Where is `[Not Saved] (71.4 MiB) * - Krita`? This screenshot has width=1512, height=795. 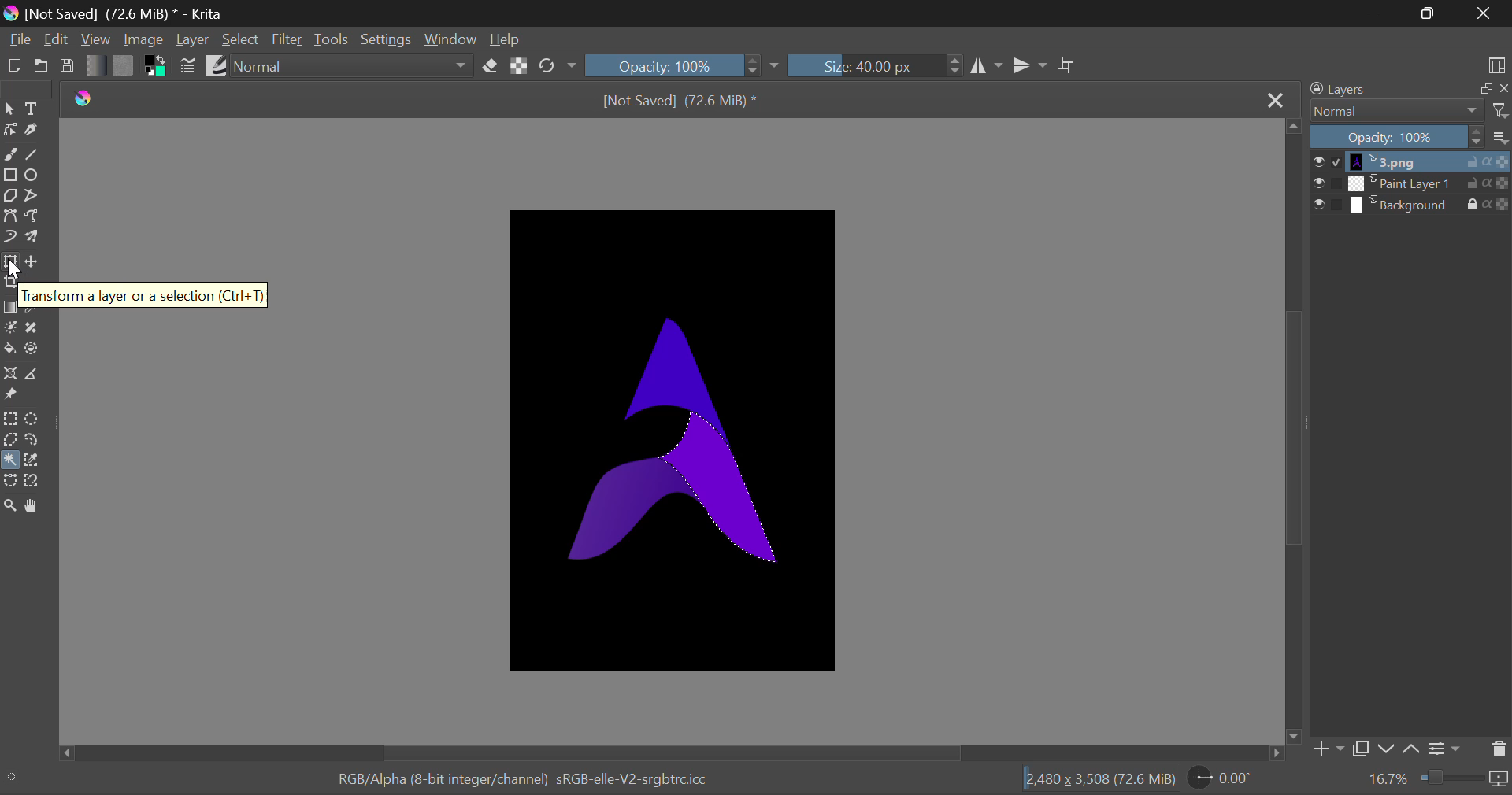 [Not Saved] (71.4 MiB) * - Krita is located at coordinates (126, 13).